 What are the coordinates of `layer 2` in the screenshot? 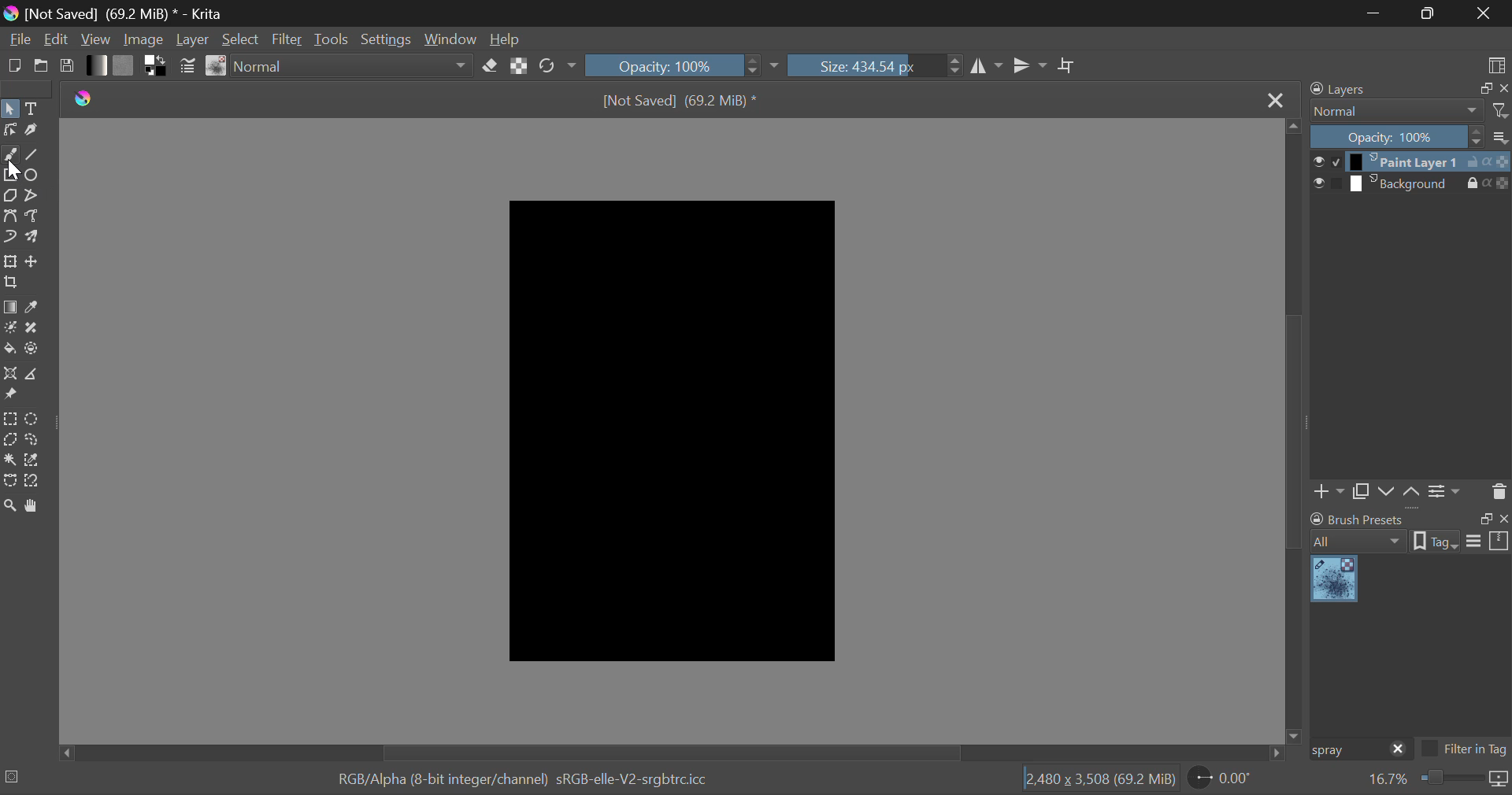 It's located at (1405, 184).